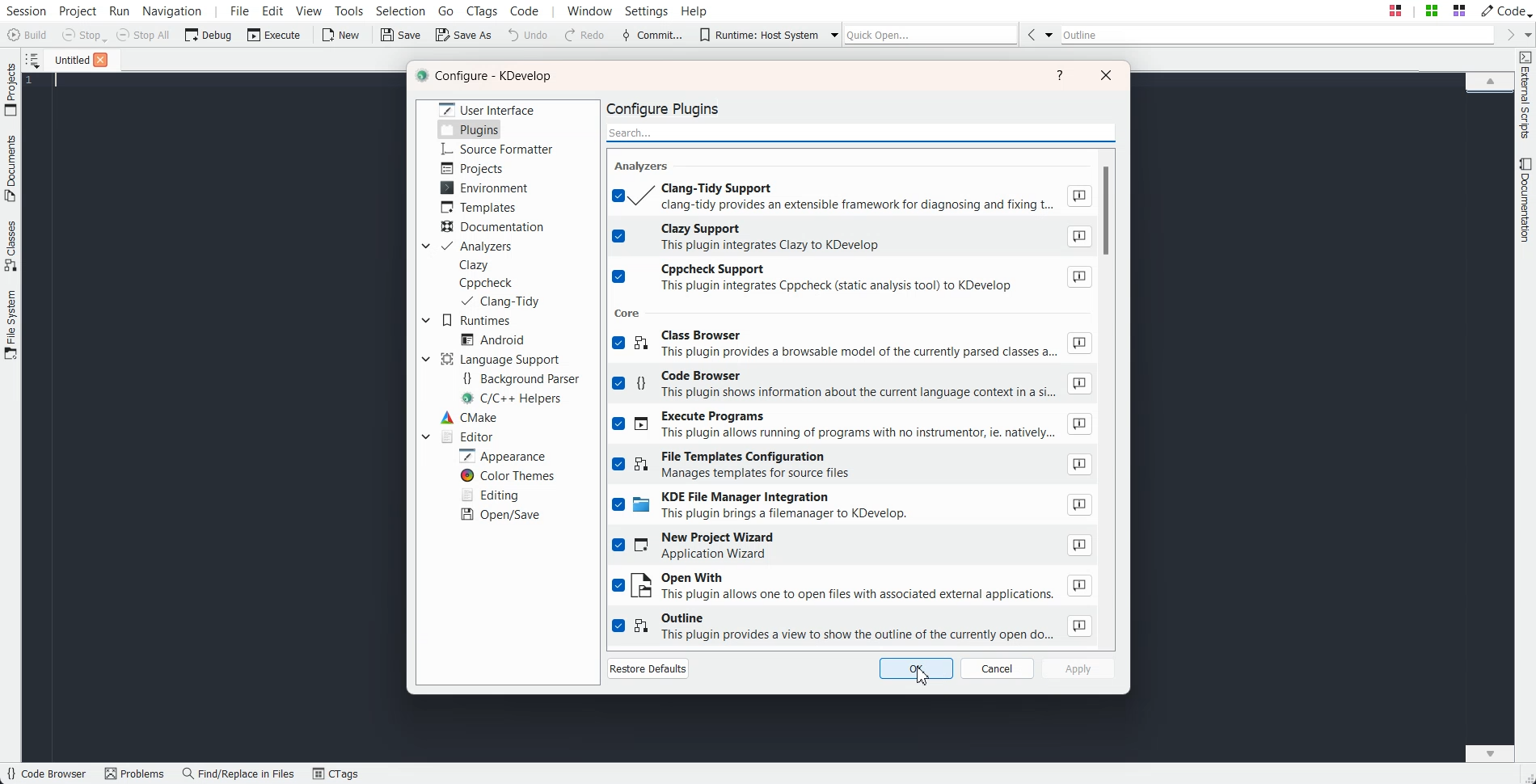 The width and height of the screenshot is (1536, 784). What do you see at coordinates (650, 11) in the screenshot?
I see `Settings` at bounding box center [650, 11].